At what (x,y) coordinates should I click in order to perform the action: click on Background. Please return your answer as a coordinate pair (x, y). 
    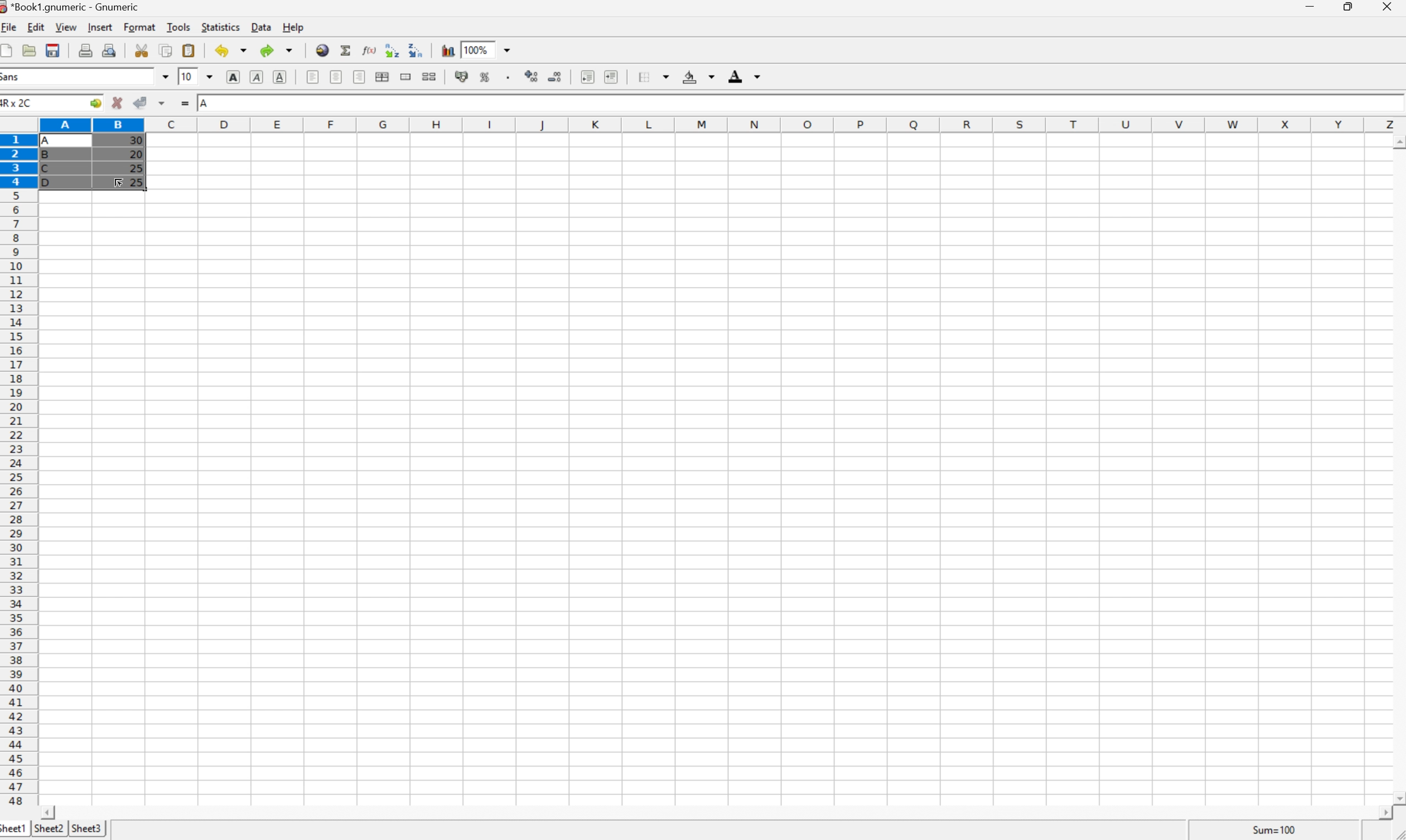
    Looking at the image, I should click on (698, 78).